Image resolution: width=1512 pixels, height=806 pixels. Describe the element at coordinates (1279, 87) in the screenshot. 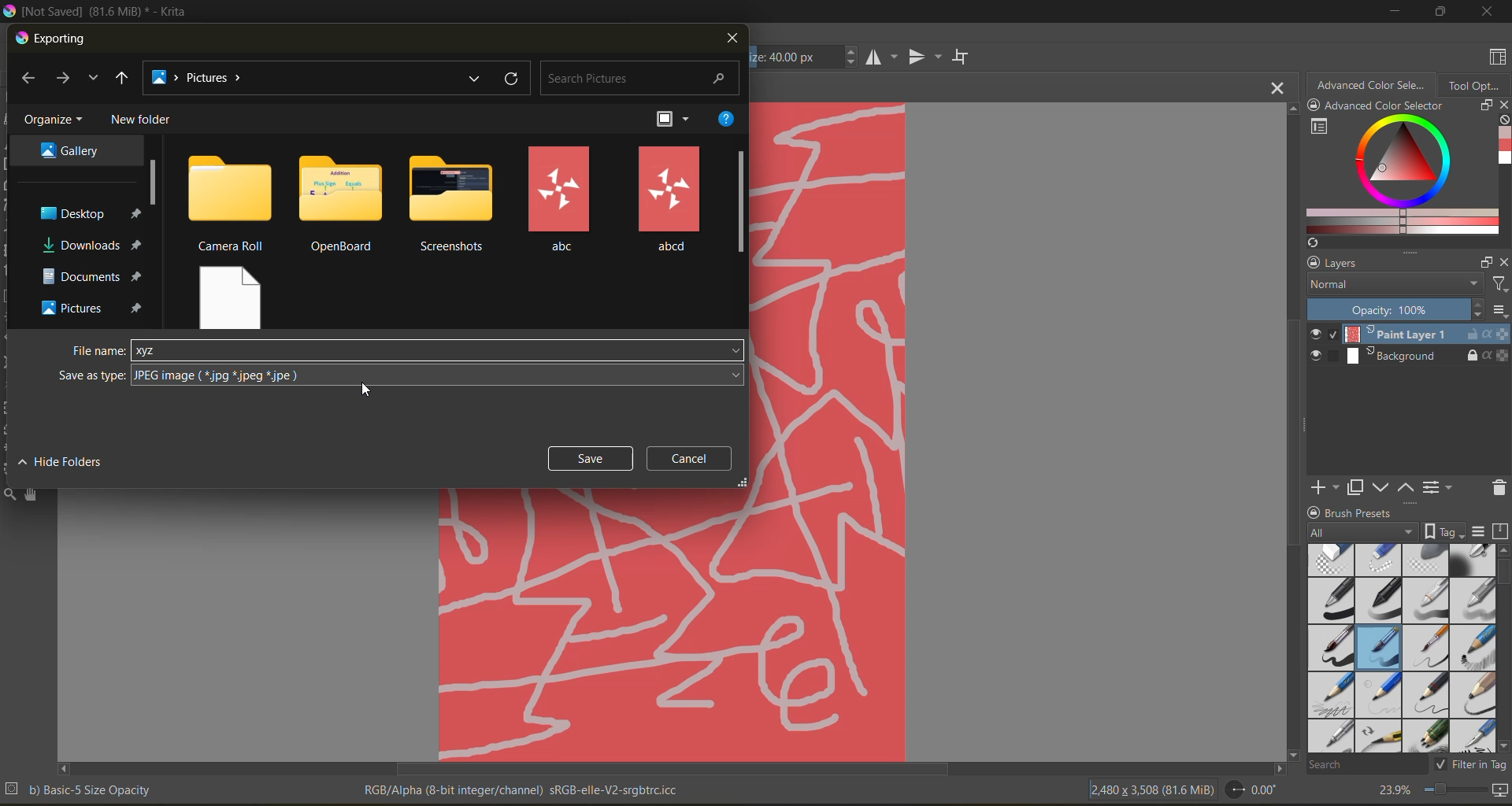

I see `close tab` at that location.